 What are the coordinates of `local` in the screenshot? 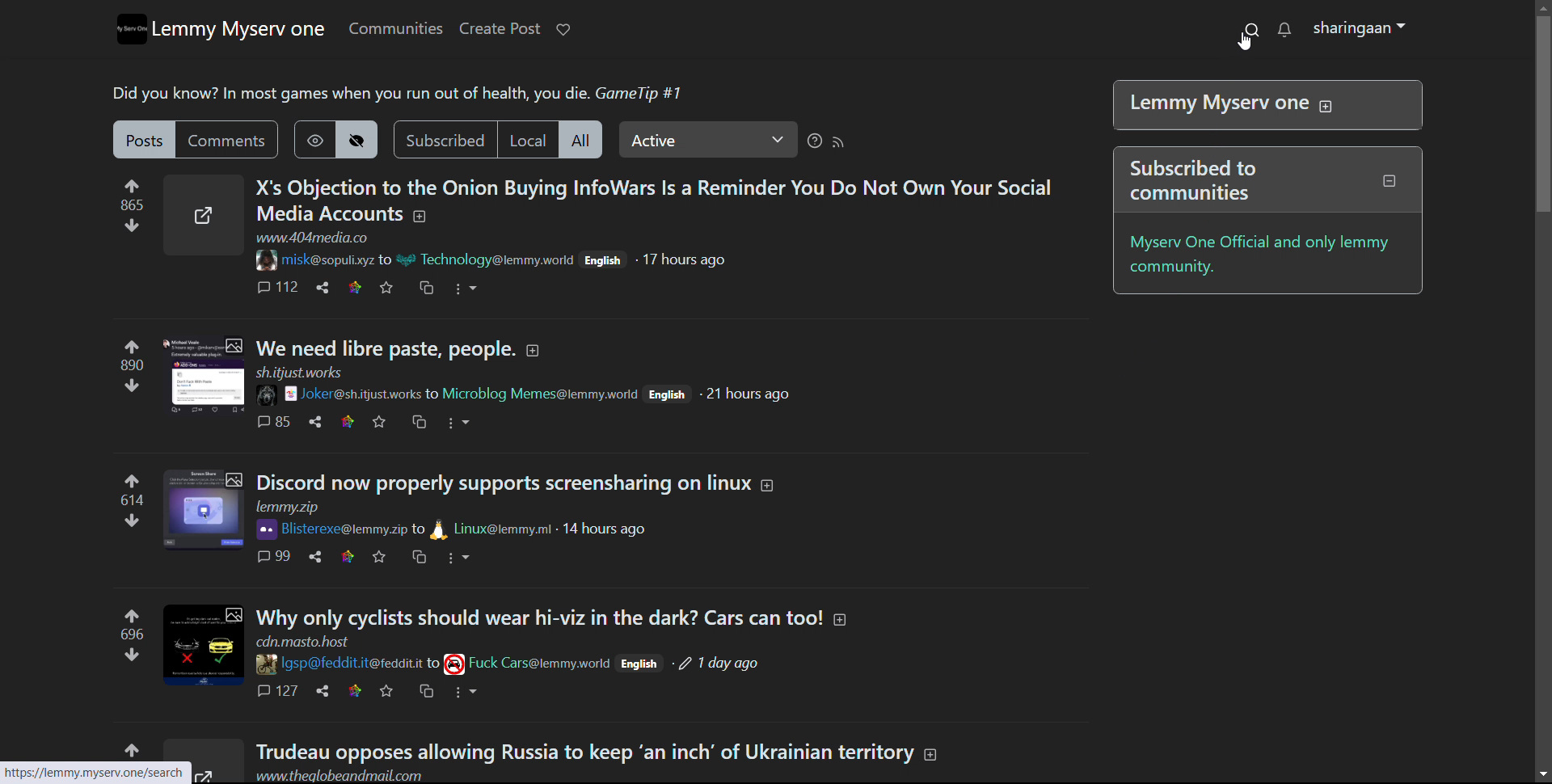 It's located at (528, 139).